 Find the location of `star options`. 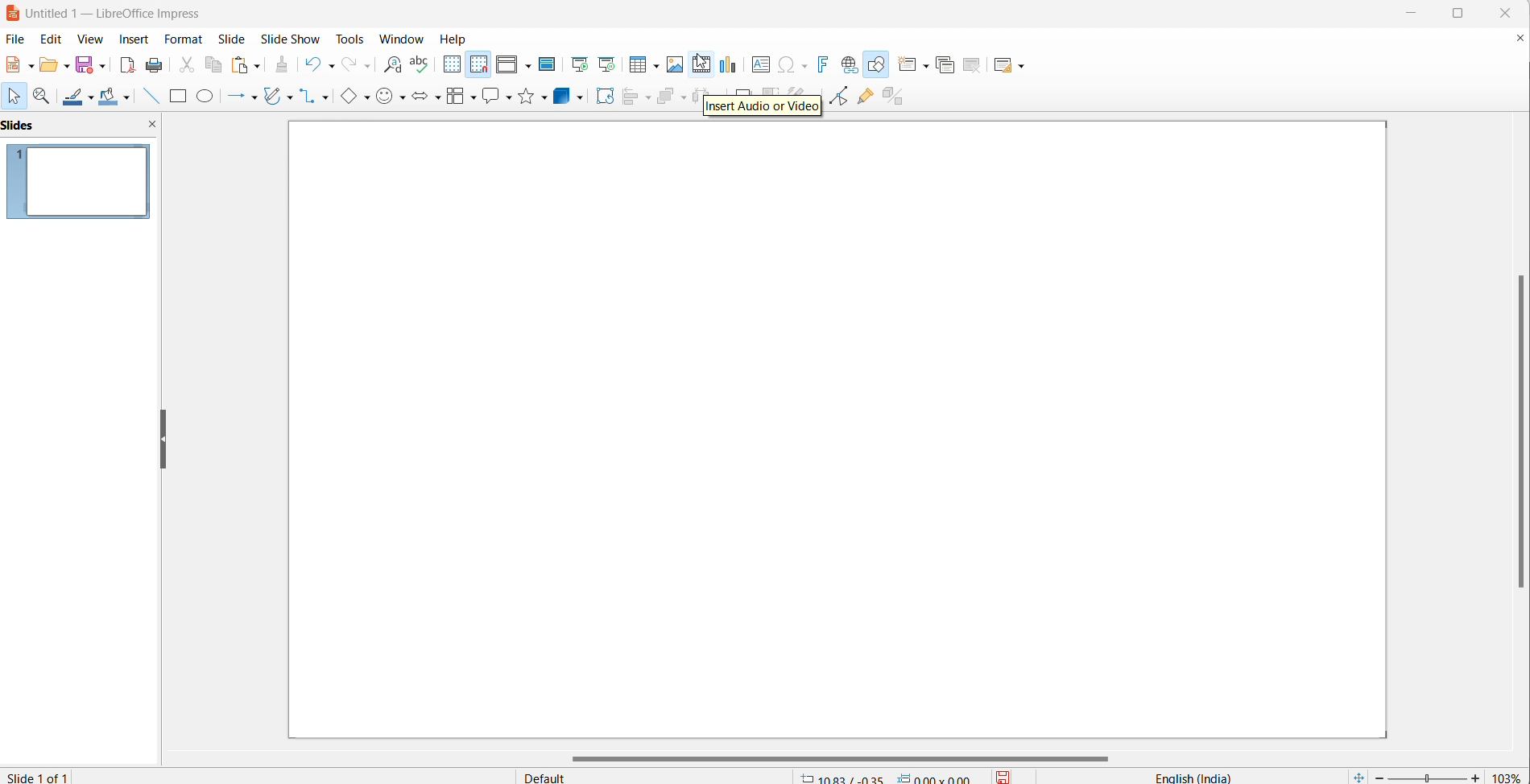

star options is located at coordinates (544, 98).